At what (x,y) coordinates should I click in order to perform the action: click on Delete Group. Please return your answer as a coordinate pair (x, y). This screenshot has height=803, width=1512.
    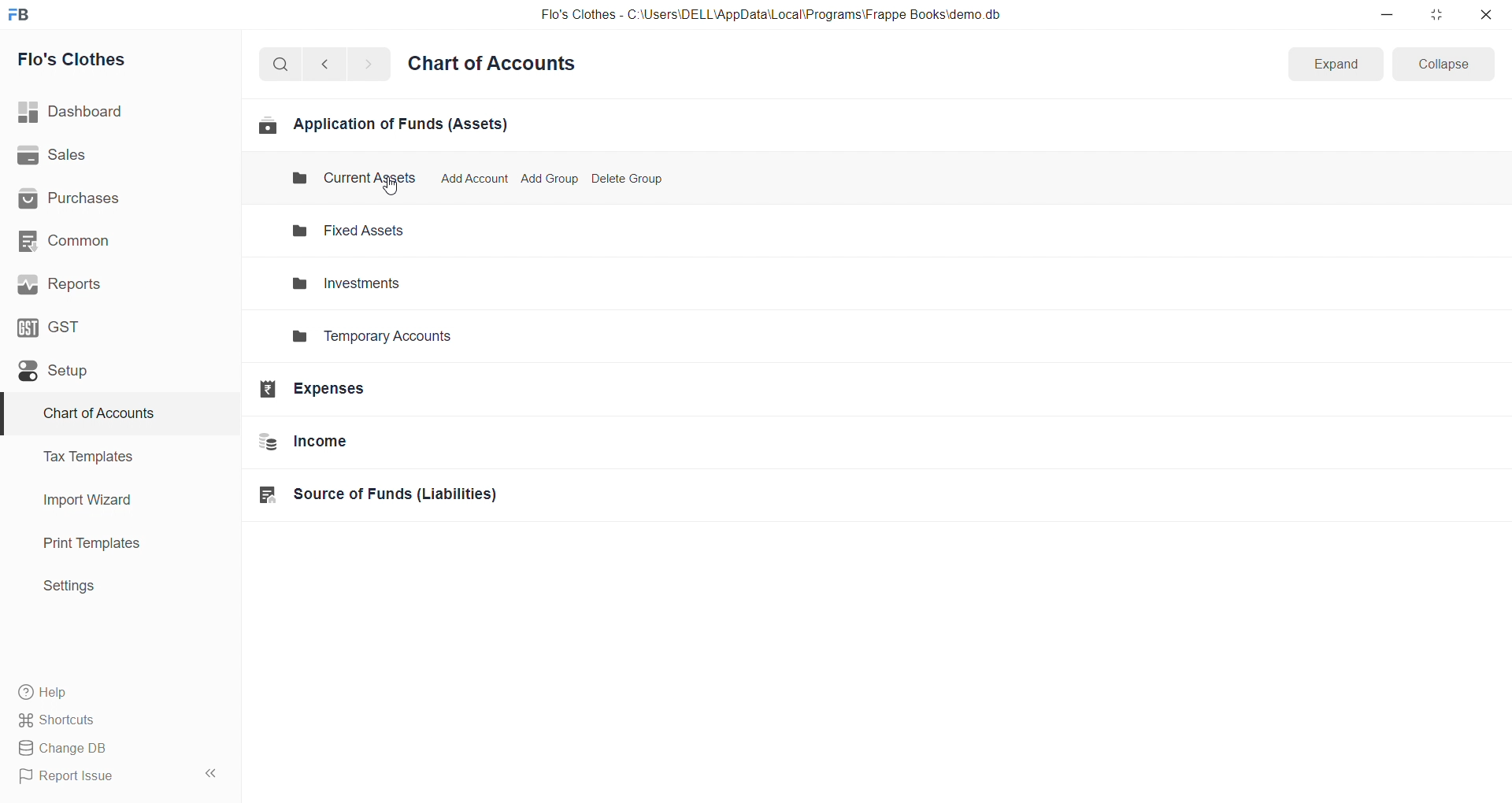
    Looking at the image, I should click on (628, 179).